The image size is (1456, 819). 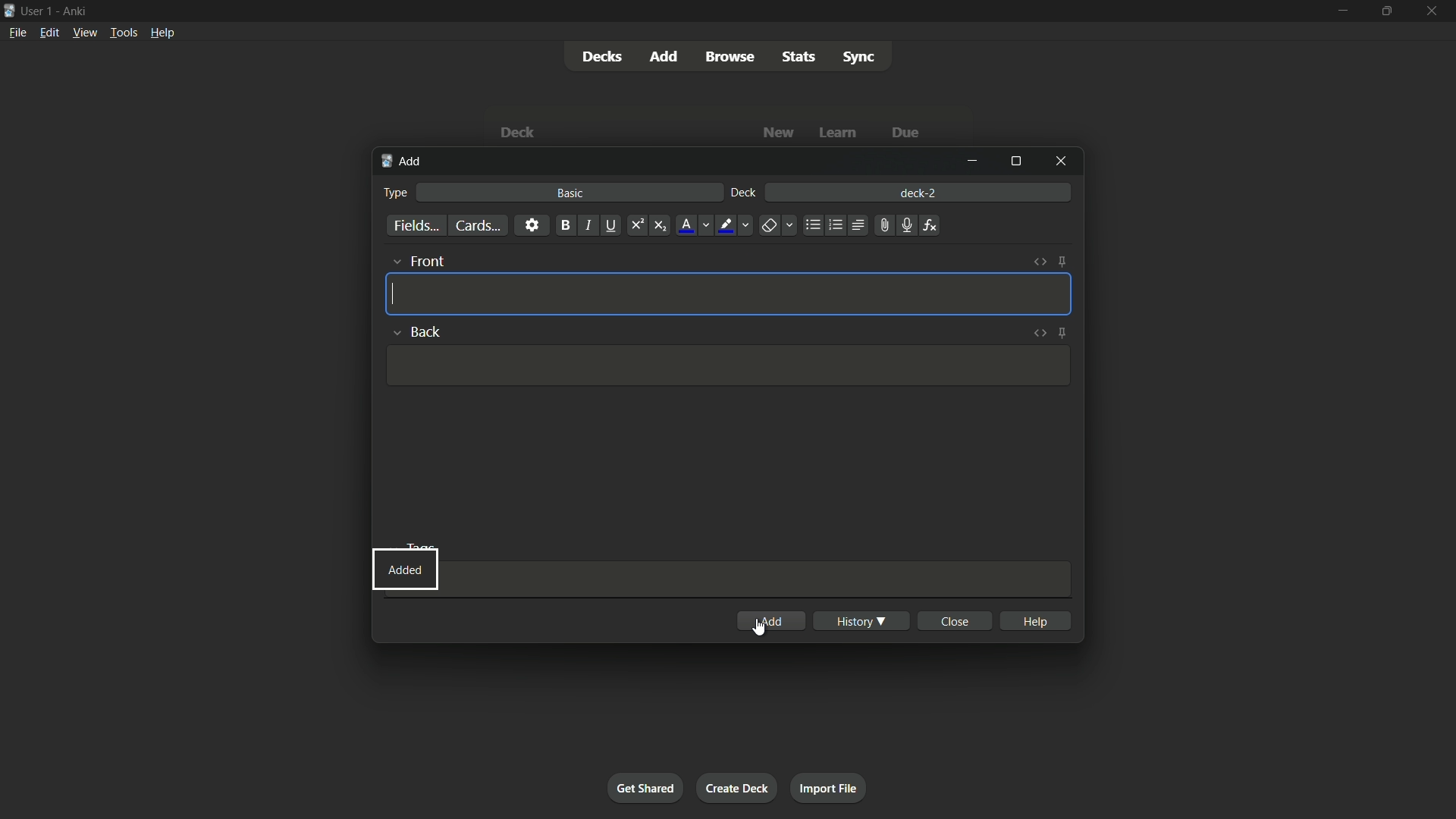 I want to click on back, so click(x=418, y=331).